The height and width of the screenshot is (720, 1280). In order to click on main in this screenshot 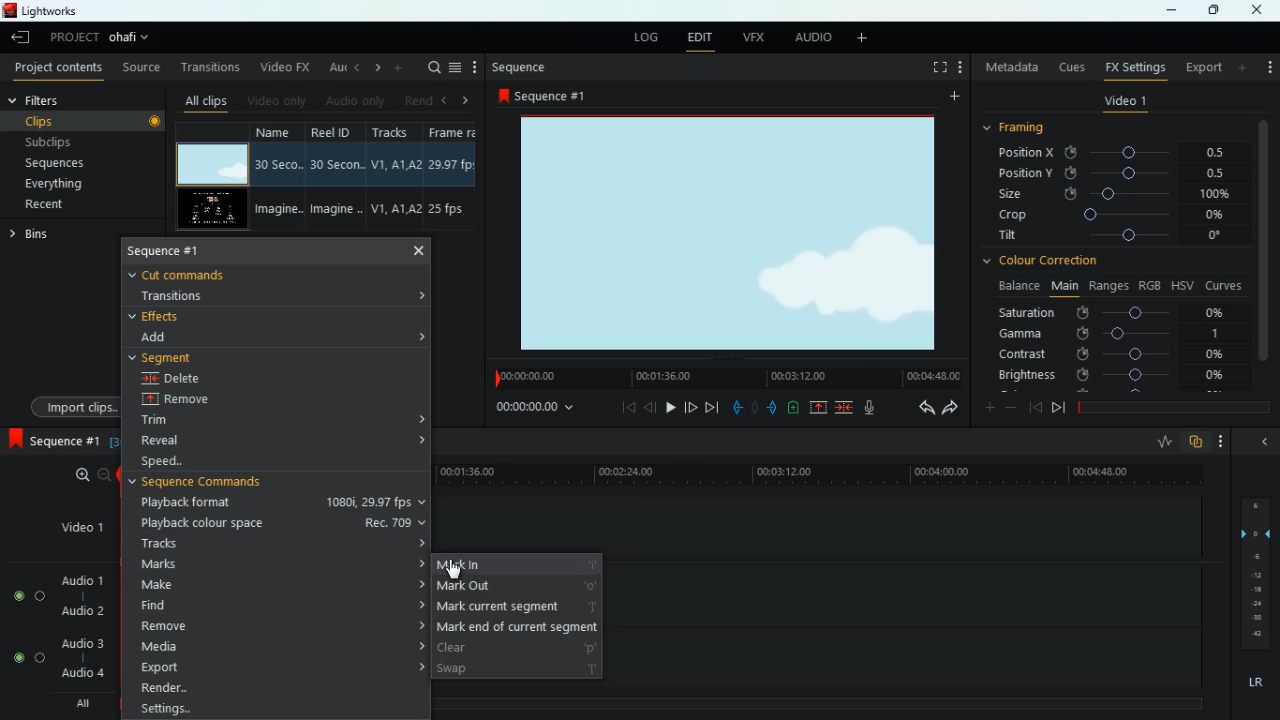, I will do `click(1064, 286)`.